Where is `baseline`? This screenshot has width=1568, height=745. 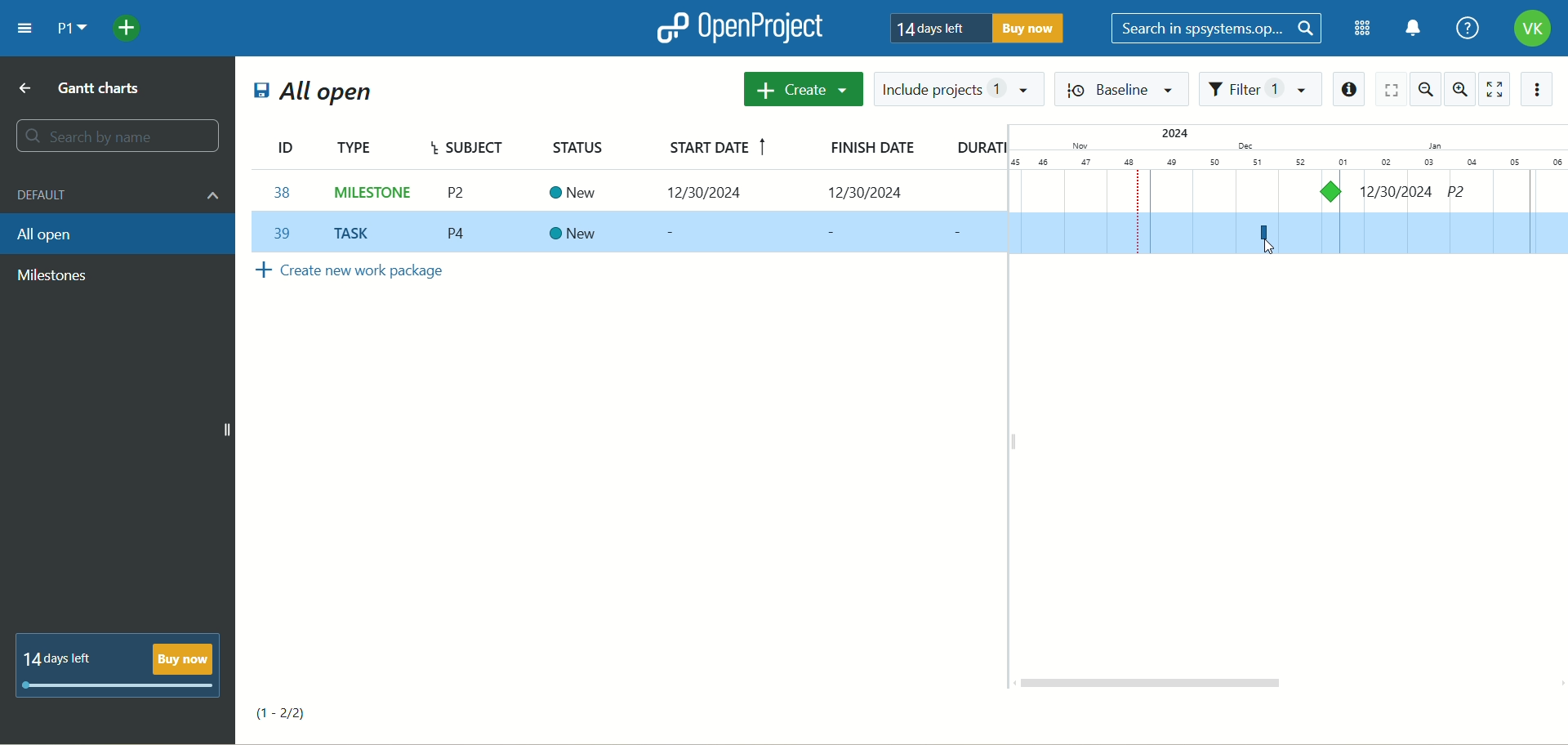
baseline is located at coordinates (1124, 89).